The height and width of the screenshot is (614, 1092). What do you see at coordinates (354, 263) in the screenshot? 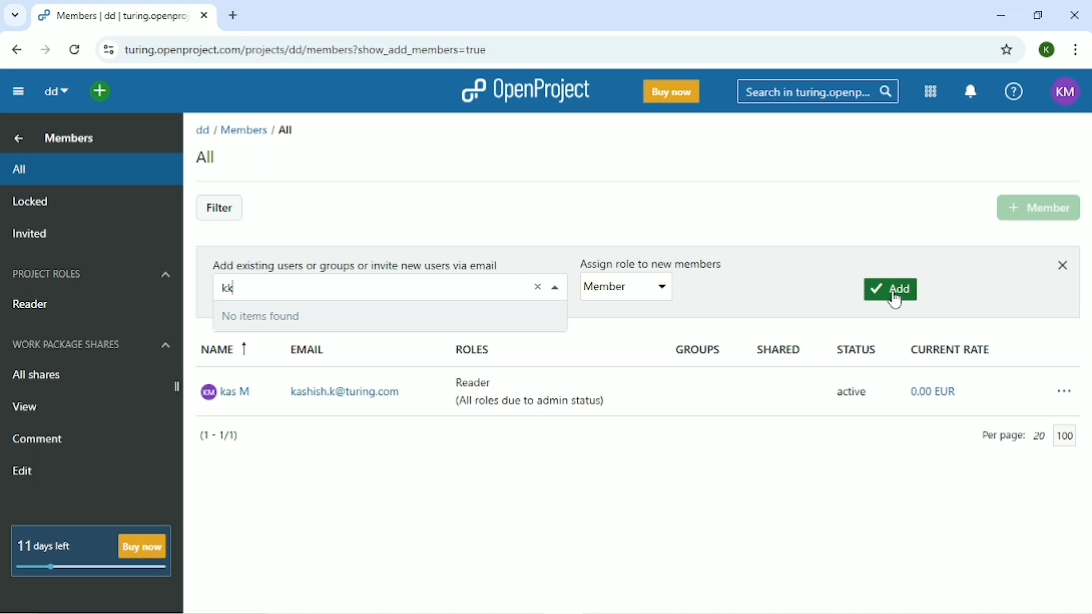
I see `Add existing users or group or invite new users via email.` at bounding box center [354, 263].